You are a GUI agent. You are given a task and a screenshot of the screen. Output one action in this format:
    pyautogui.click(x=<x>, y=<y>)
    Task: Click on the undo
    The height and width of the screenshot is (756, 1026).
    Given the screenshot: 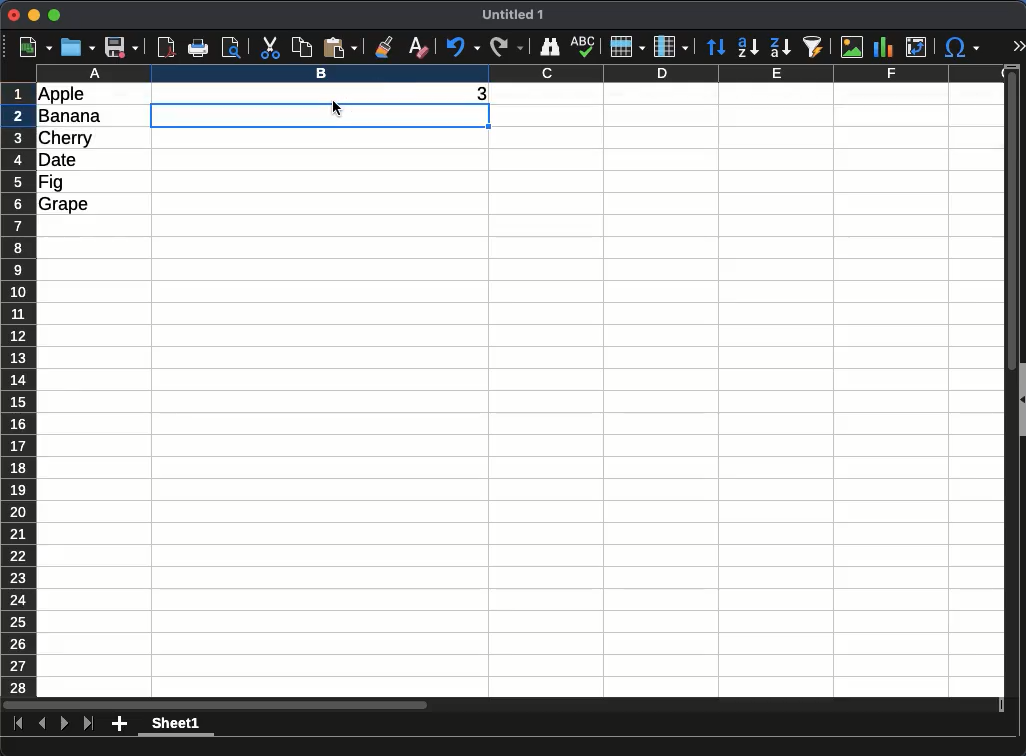 What is the action you would take?
    pyautogui.click(x=463, y=47)
    